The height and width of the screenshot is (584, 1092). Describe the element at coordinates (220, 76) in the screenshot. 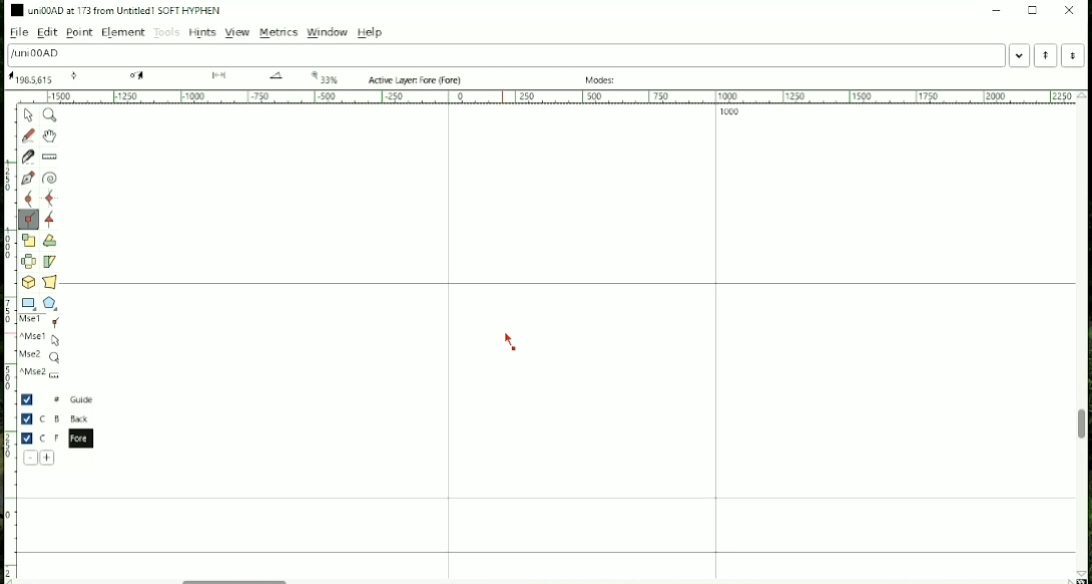

I see `173 Oxad U+00AD "uni00AD" SOFT HYPHEN` at that location.